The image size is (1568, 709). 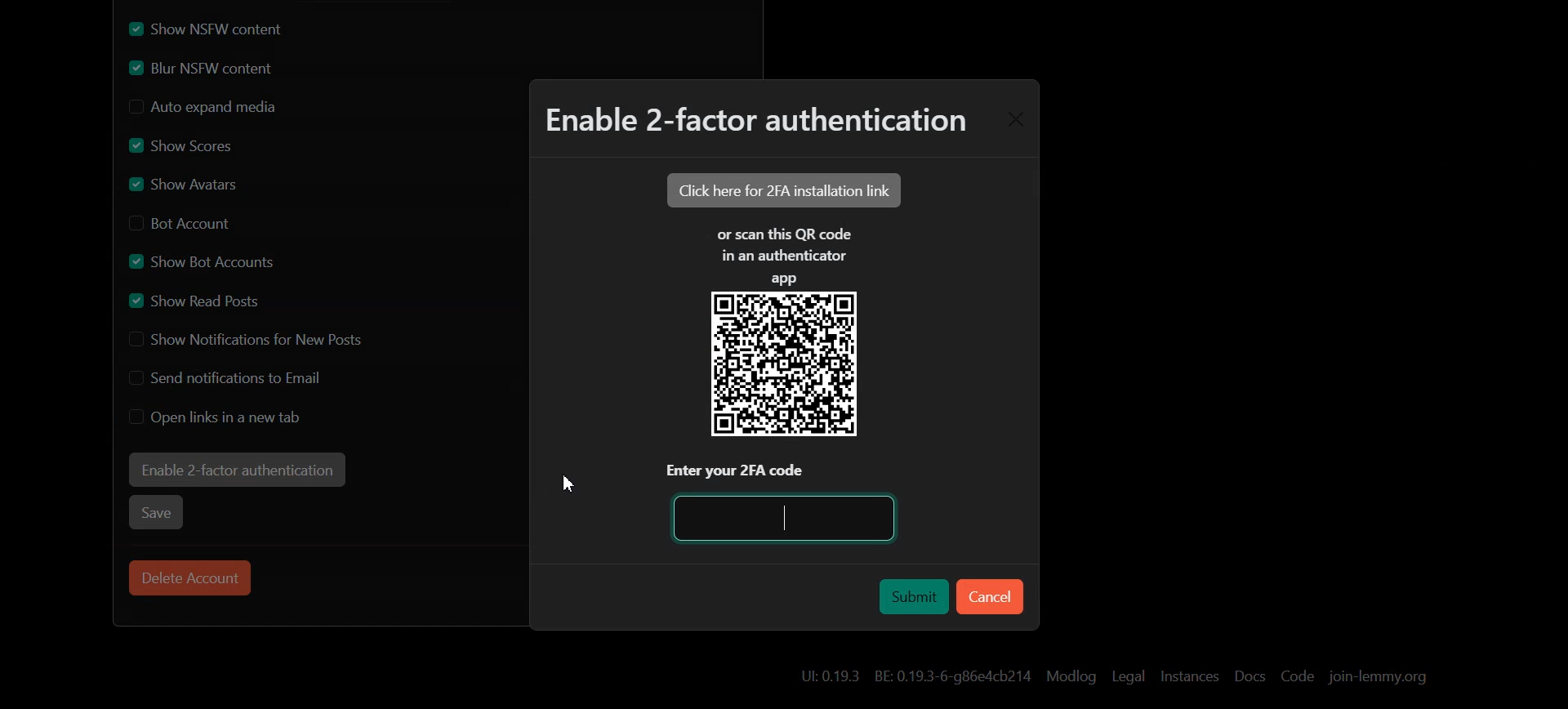 What do you see at coordinates (784, 365) in the screenshot?
I see `QR Code for Scan` at bounding box center [784, 365].